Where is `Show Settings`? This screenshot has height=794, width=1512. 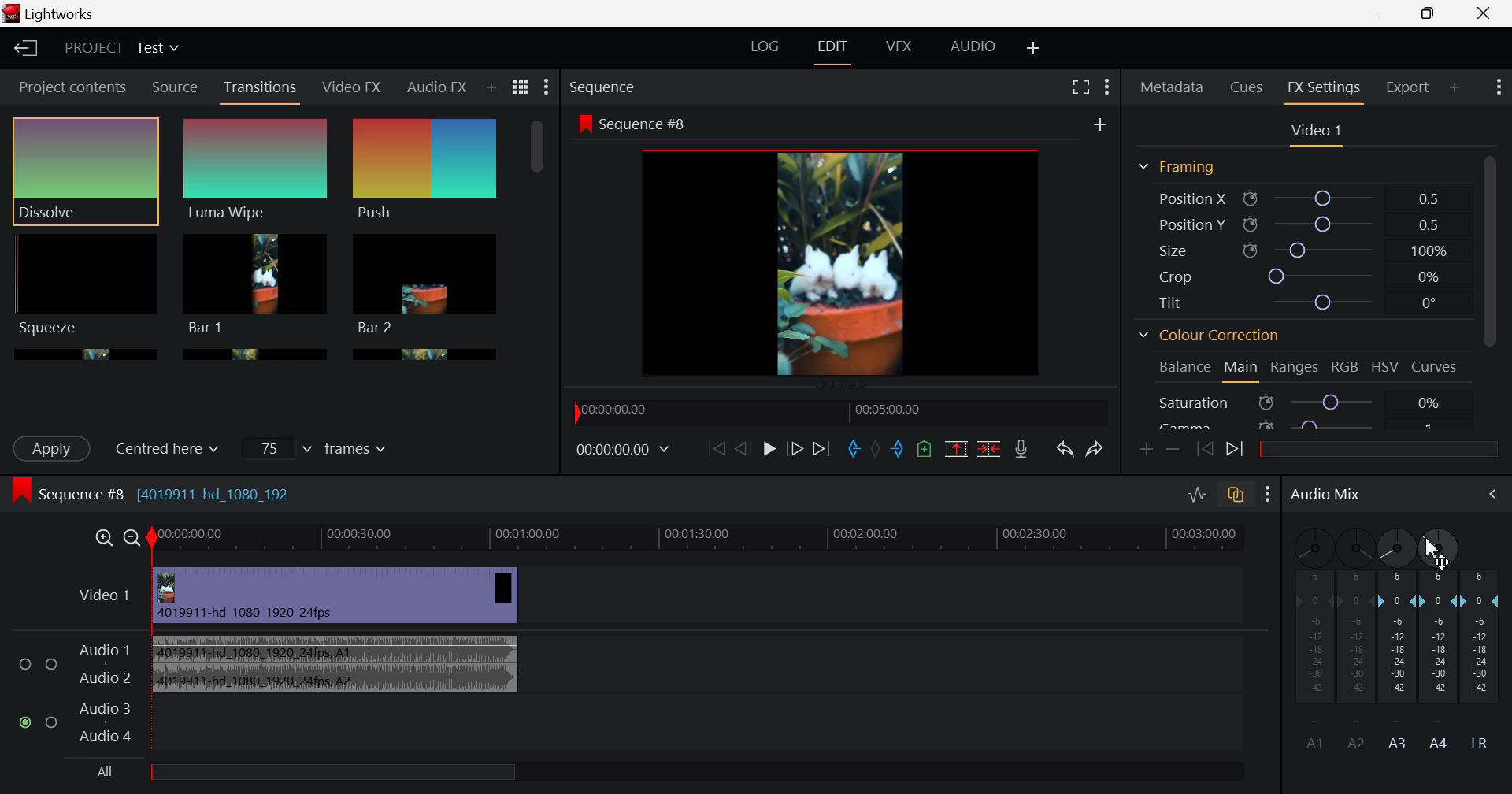
Show Settings is located at coordinates (1106, 87).